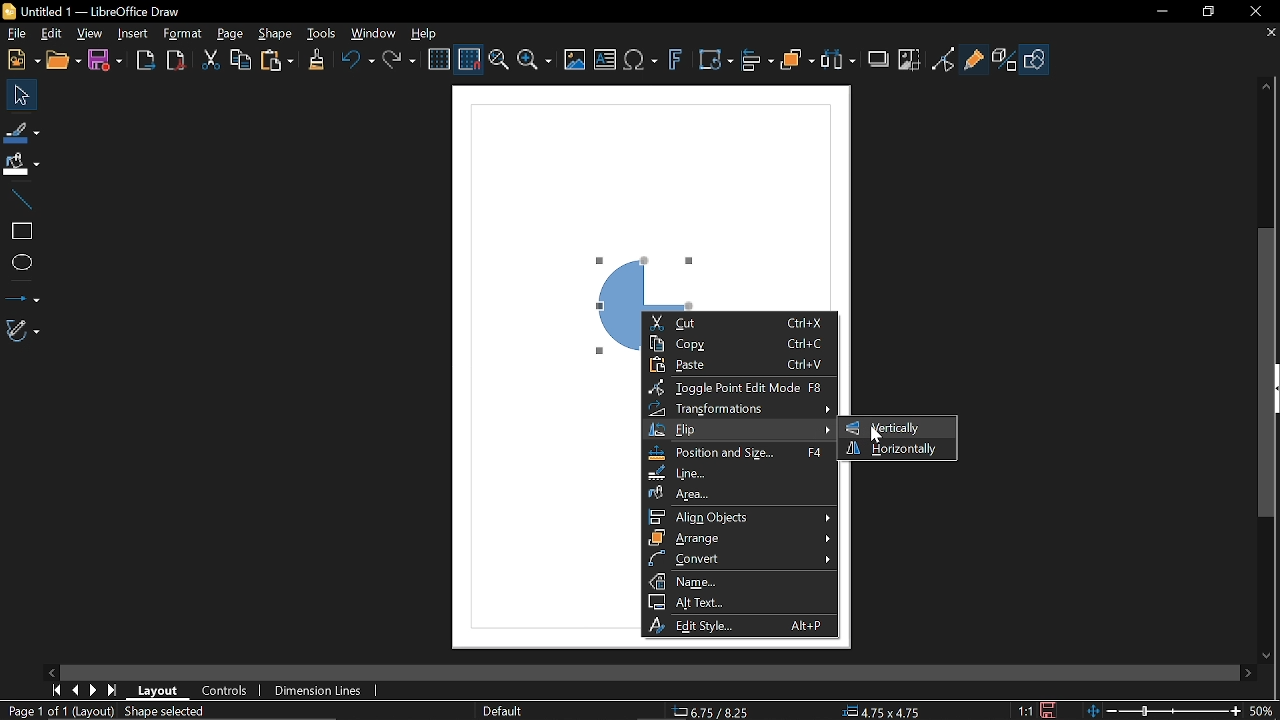 This screenshot has height=720, width=1280. I want to click on Horizontally, so click(894, 449).